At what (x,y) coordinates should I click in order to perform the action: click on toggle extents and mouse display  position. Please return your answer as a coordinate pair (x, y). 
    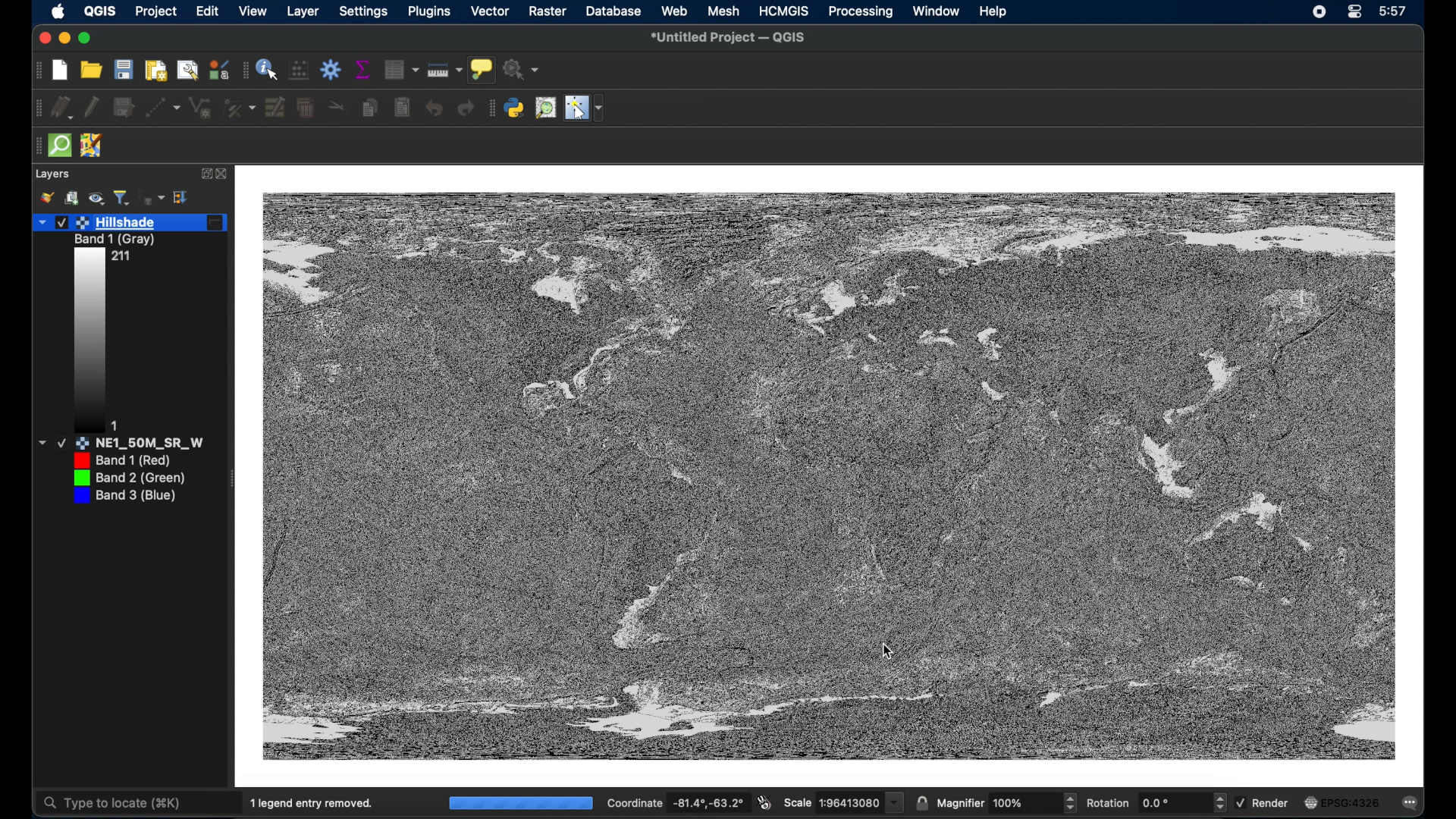
    Looking at the image, I should click on (765, 802).